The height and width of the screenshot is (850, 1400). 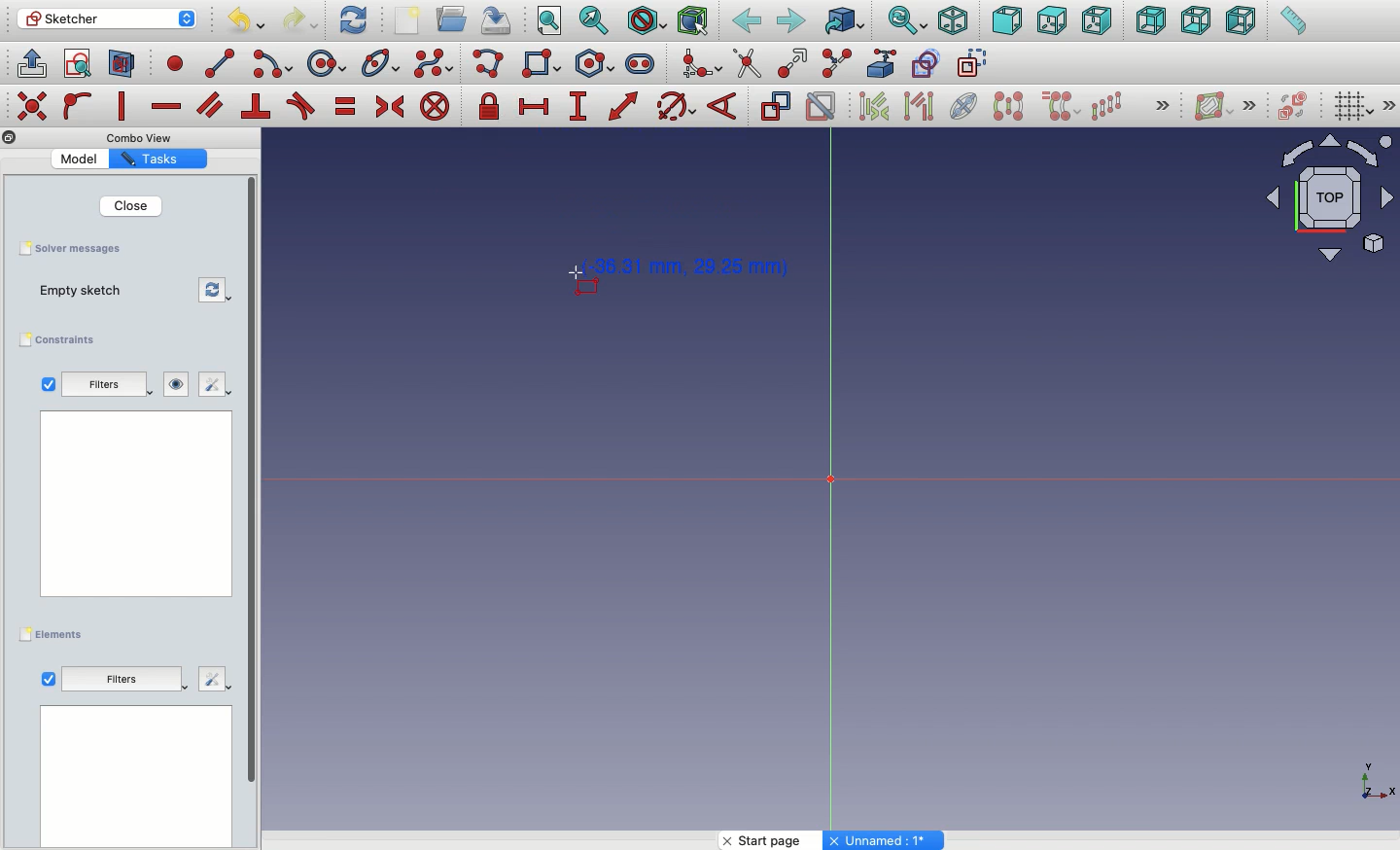 What do you see at coordinates (48, 384) in the screenshot?
I see `checkbox` at bounding box center [48, 384].